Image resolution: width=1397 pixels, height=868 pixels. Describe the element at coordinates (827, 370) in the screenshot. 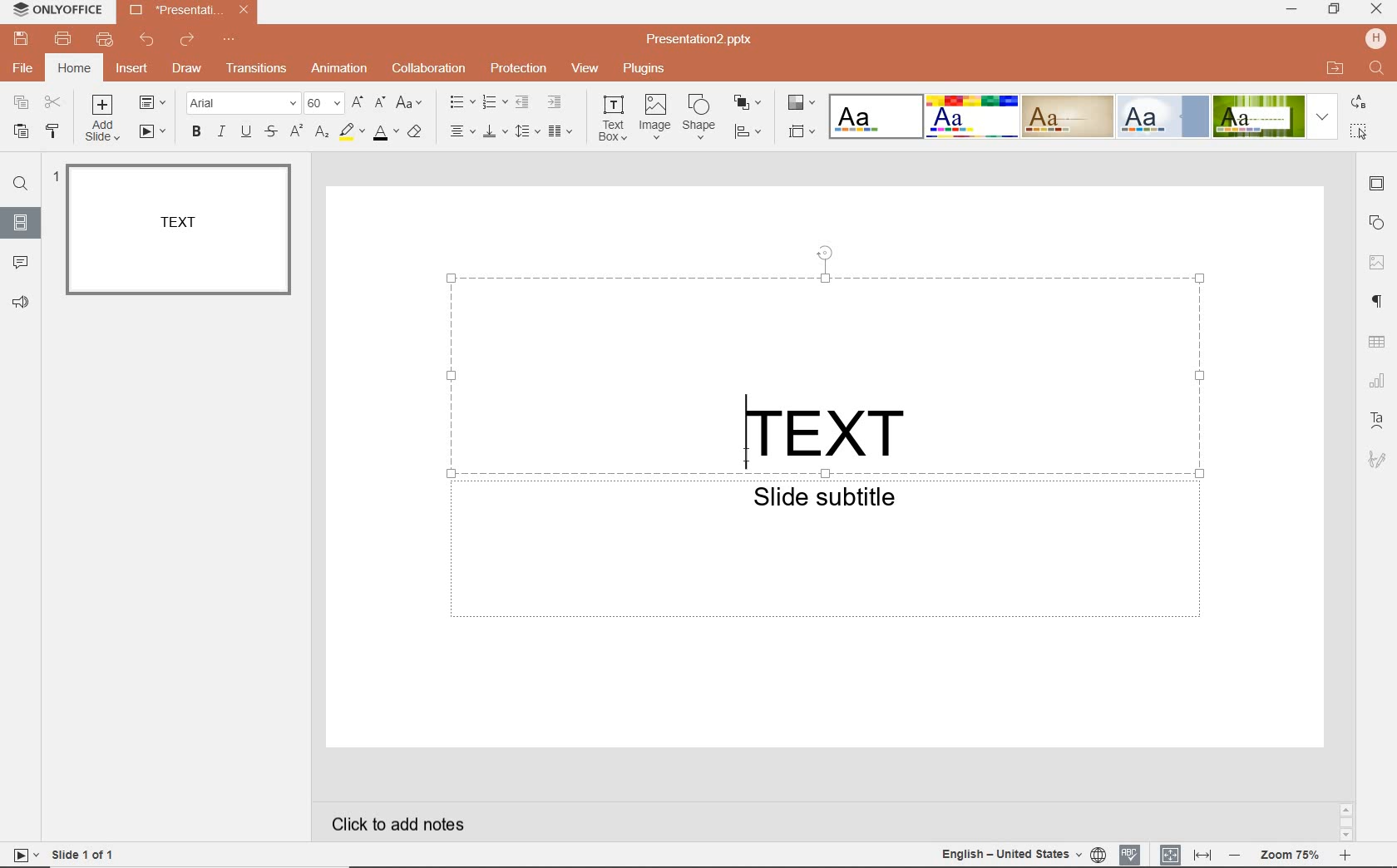

I see `TEXT FIELD` at that location.